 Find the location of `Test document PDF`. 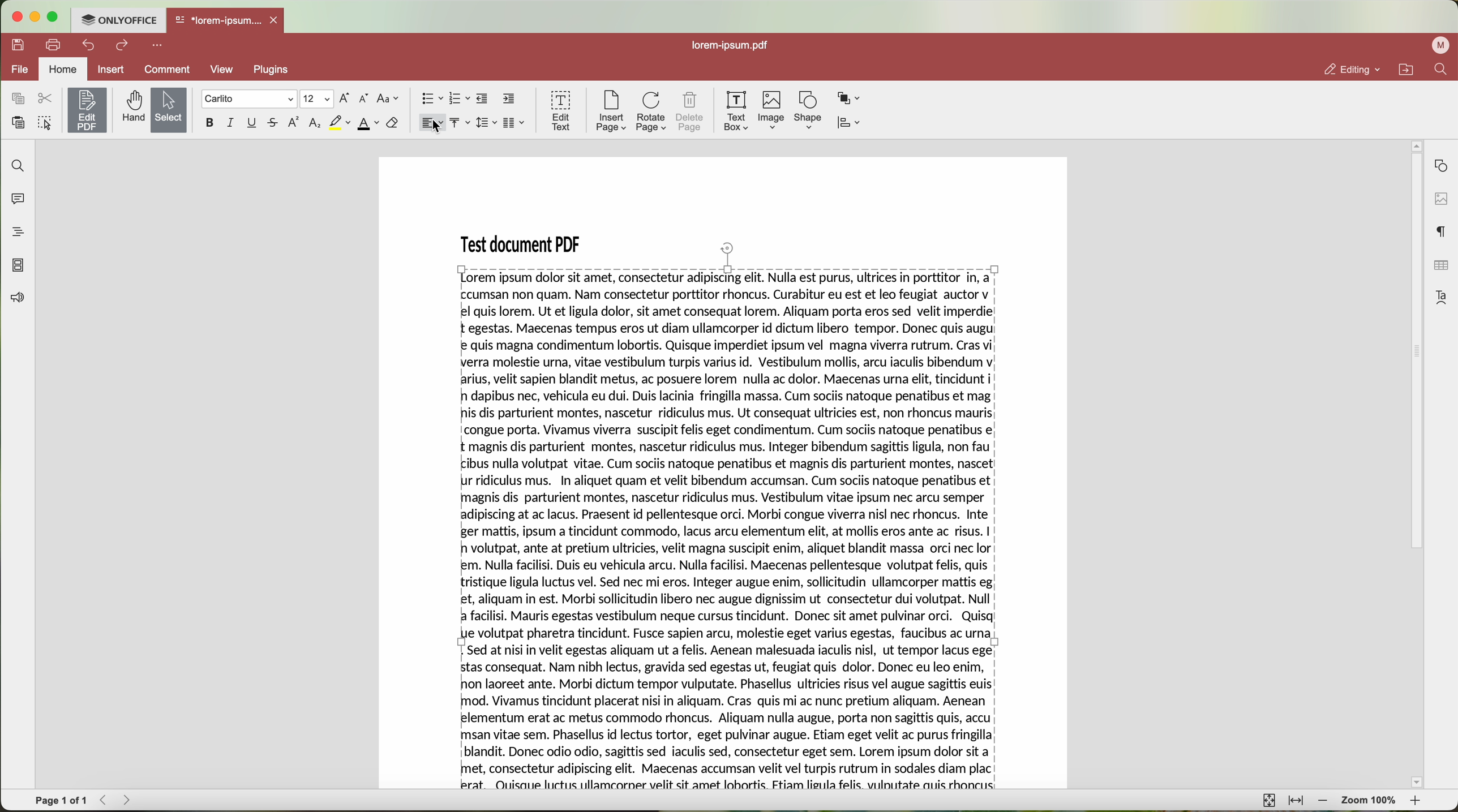

Test document PDF is located at coordinates (525, 242).